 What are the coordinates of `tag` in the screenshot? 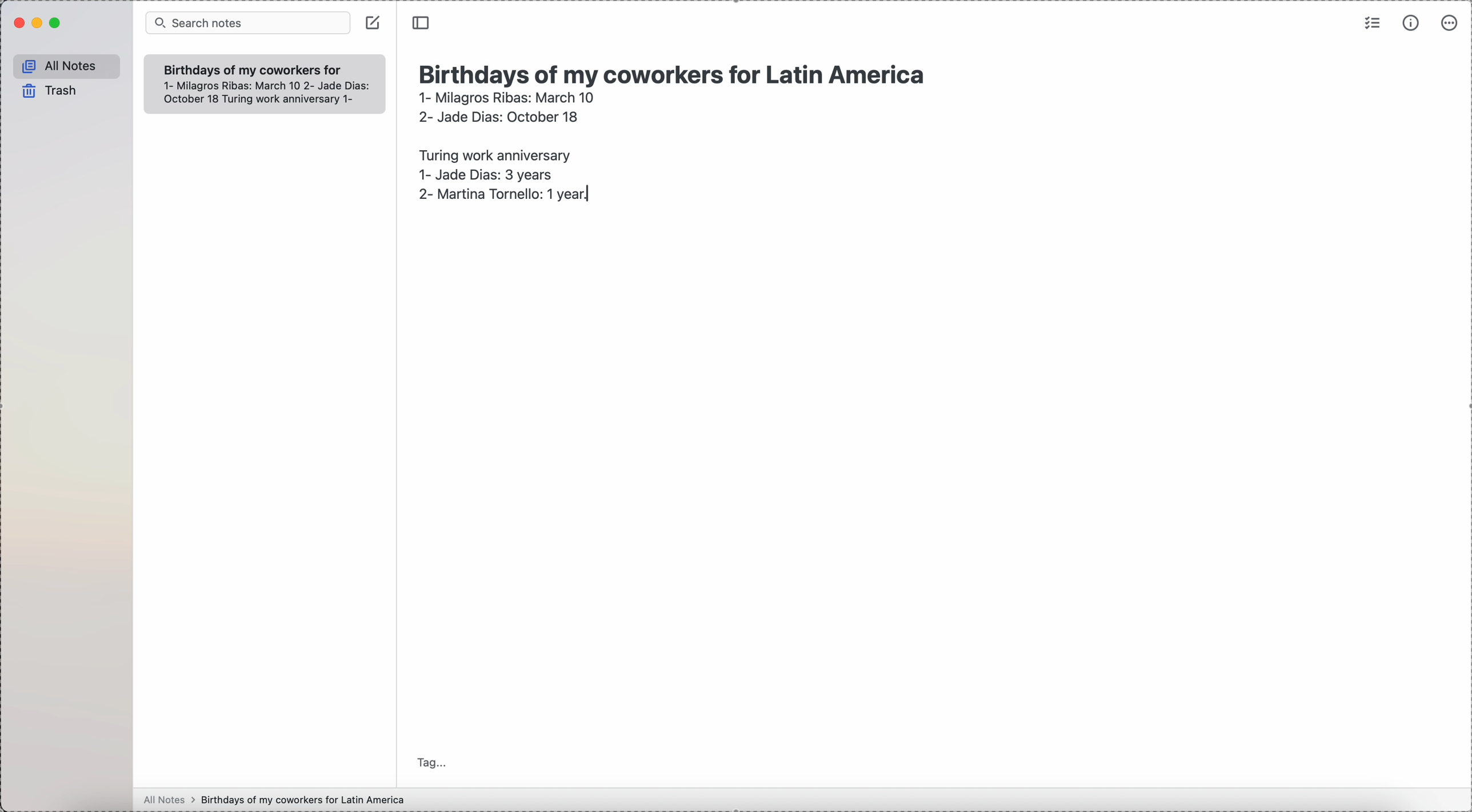 It's located at (433, 762).